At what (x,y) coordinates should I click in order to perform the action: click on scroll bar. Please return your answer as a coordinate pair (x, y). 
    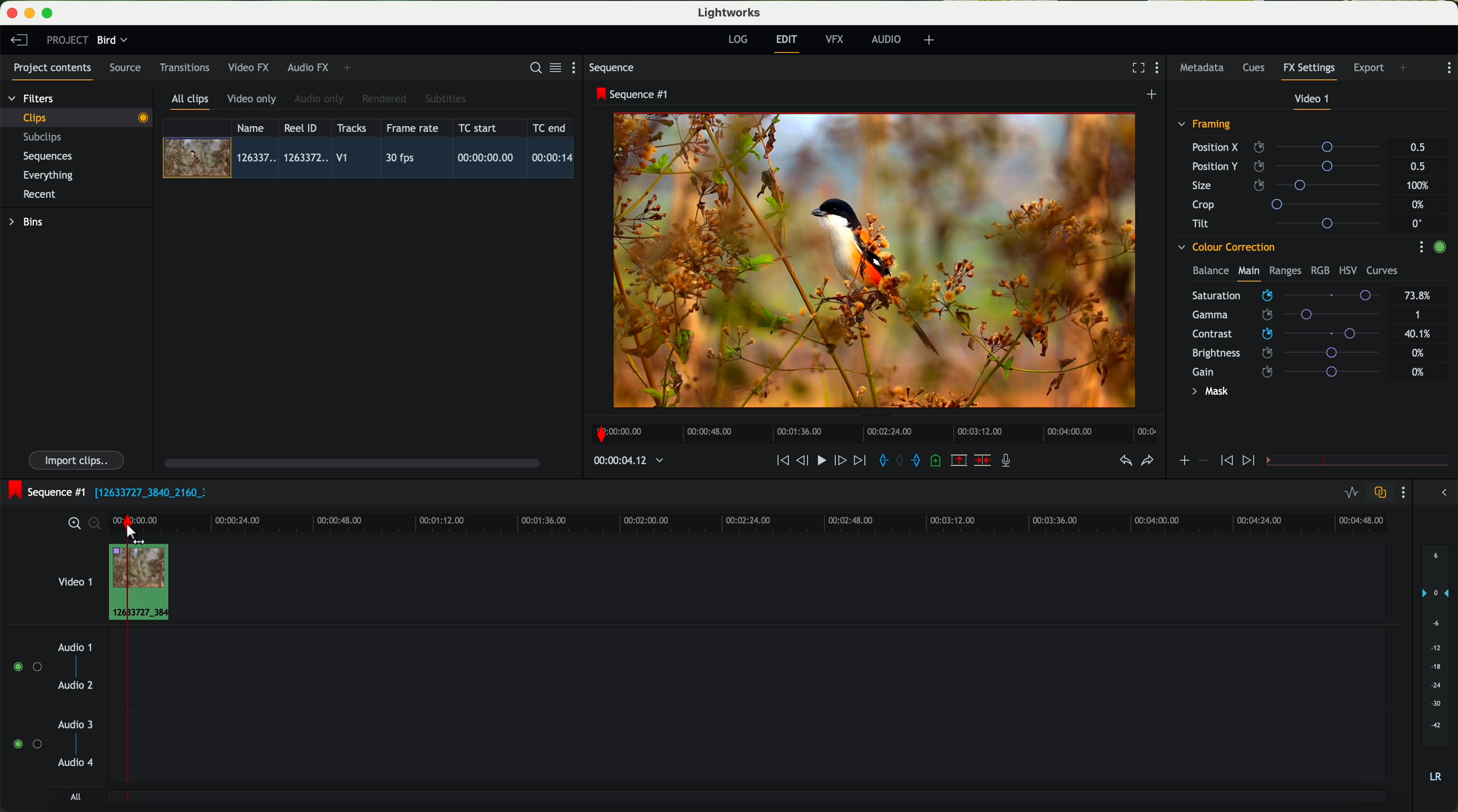
    Looking at the image, I should click on (351, 462).